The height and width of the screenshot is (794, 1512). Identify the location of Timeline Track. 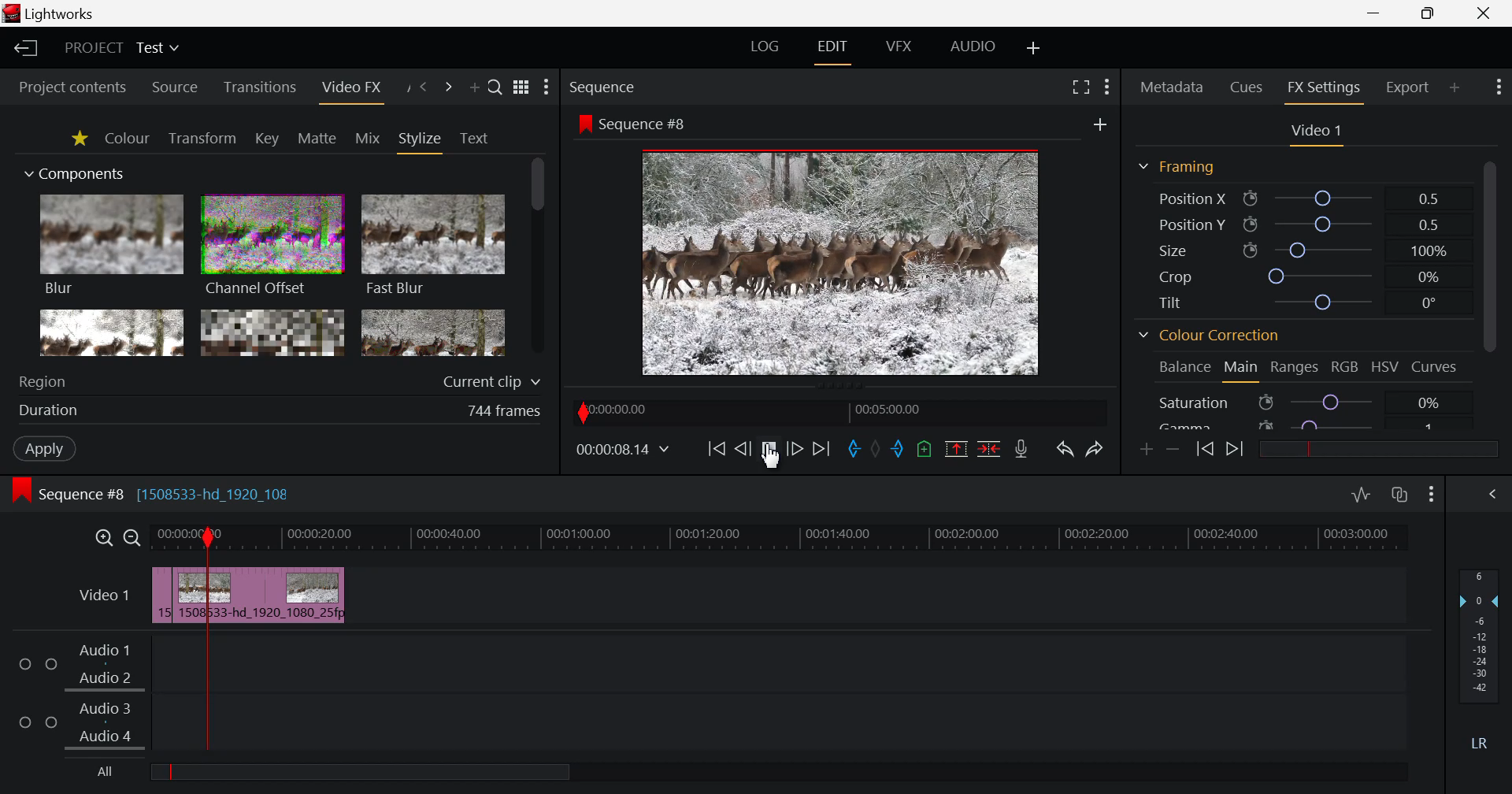
(784, 540).